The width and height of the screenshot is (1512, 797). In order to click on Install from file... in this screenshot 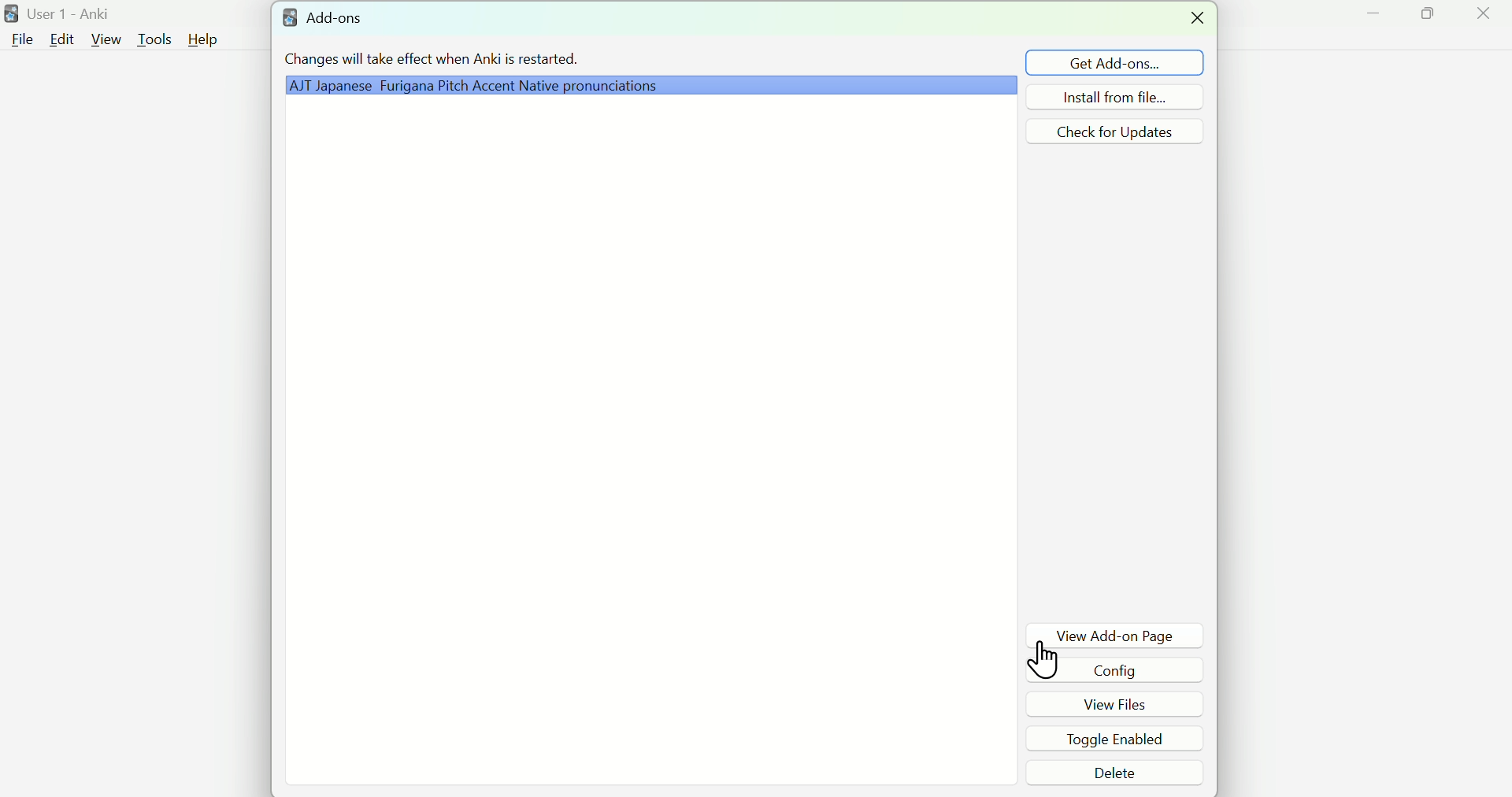, I will do `click(1117, 96)`.